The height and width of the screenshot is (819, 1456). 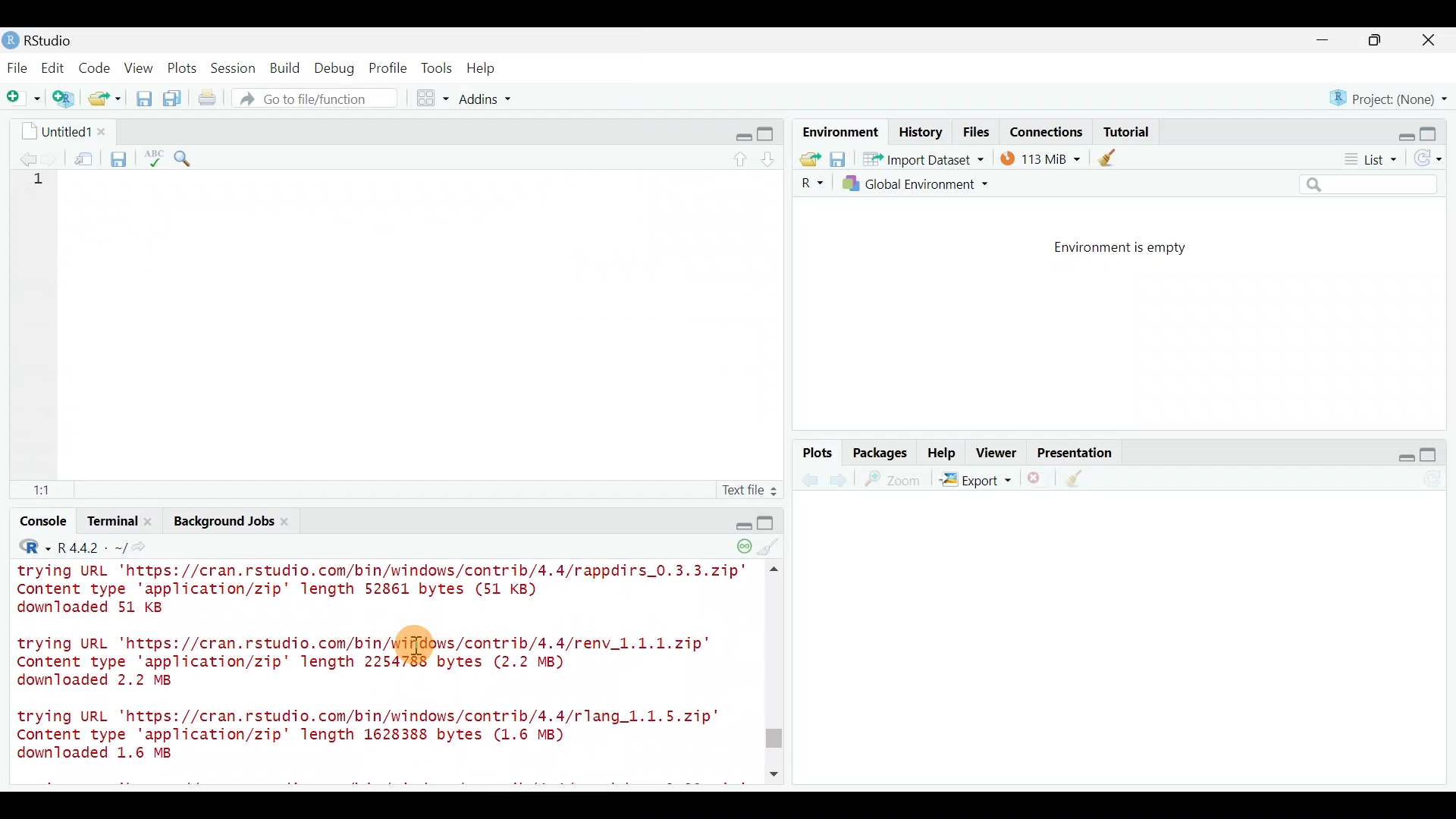 What do you see at coordinates (943, 451) in the screenshot?
I see `Help` at bounding box center [943, 451].